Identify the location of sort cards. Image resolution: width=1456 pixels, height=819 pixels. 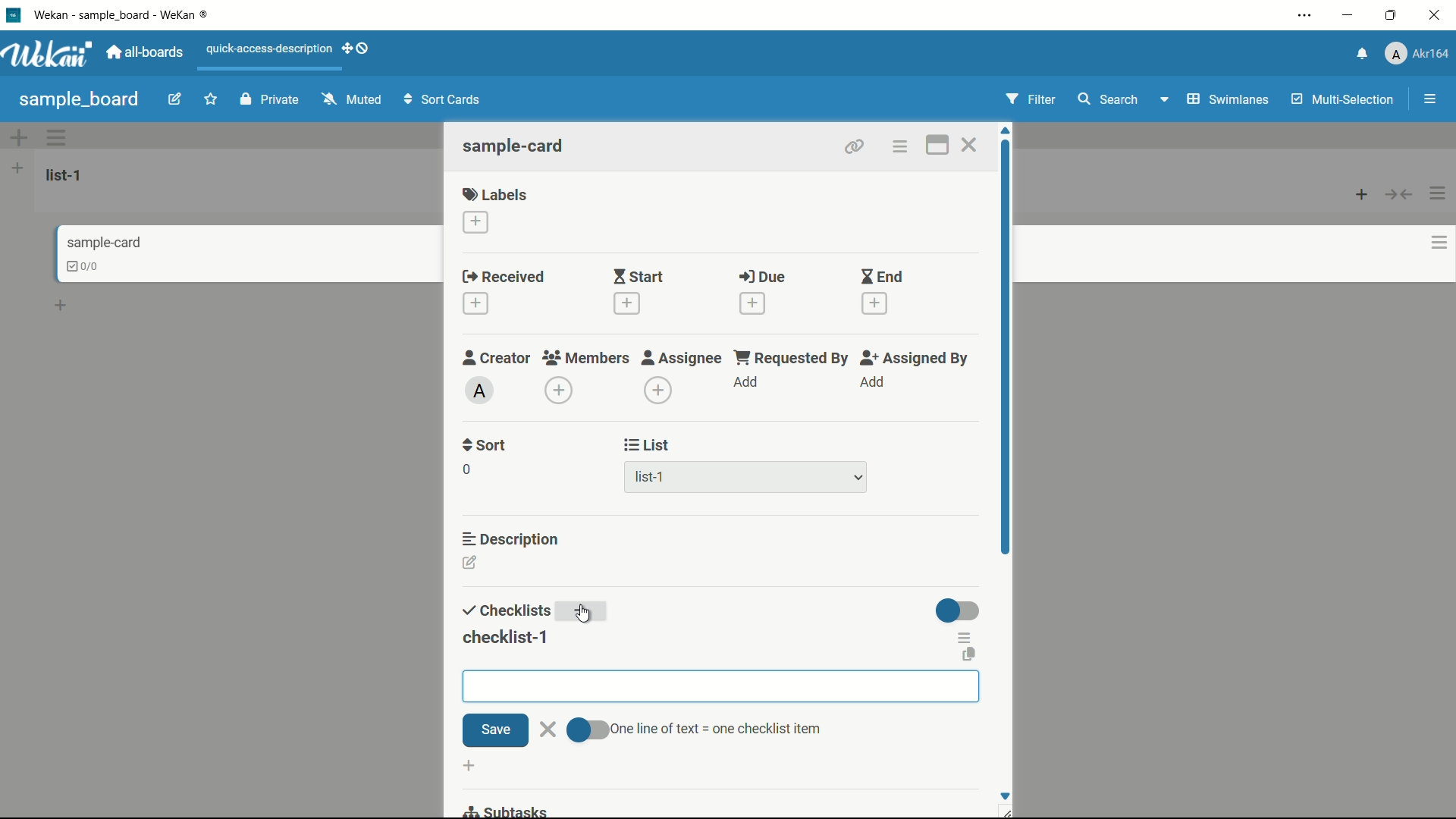
(444, 101).